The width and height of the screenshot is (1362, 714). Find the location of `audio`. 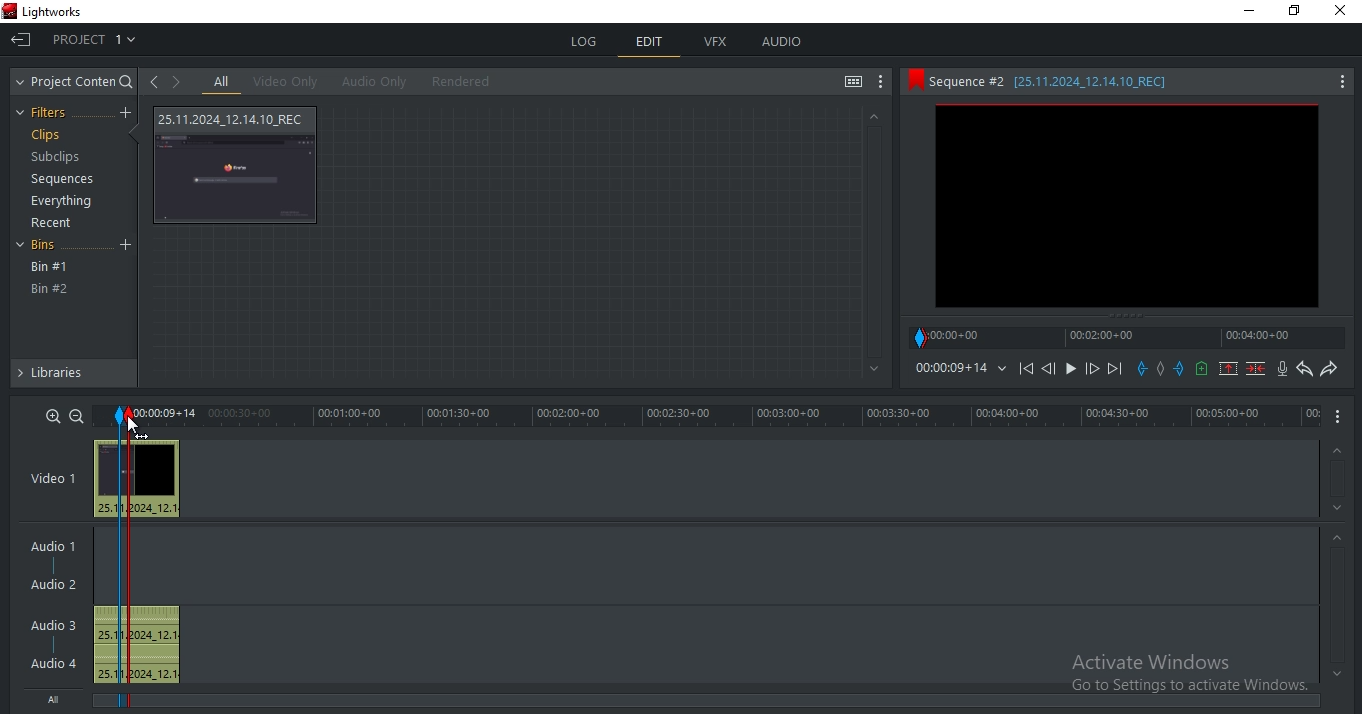

audio is located at coordinates (782, 43).